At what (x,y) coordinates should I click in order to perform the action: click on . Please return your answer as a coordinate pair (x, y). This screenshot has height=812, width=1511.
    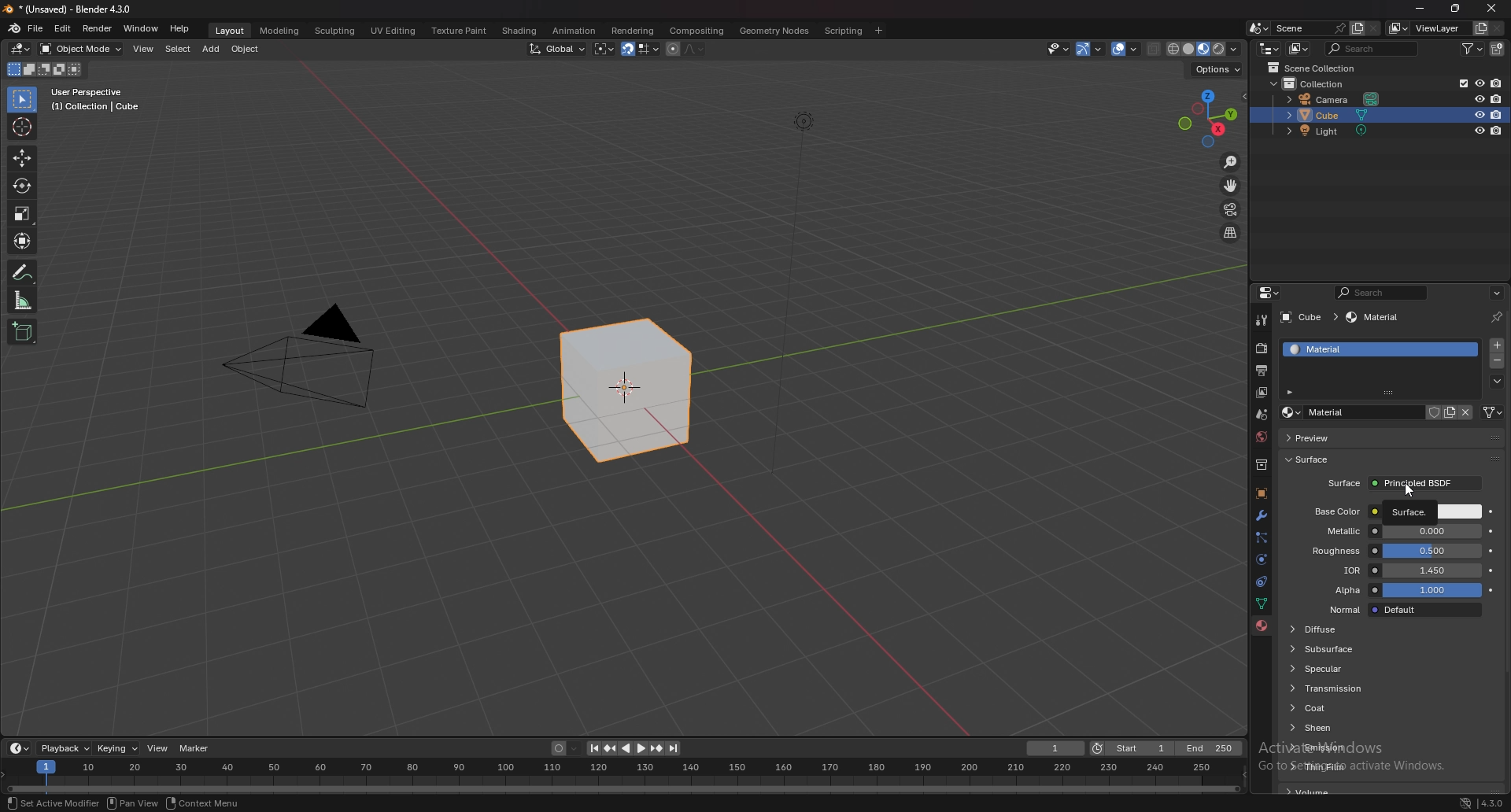
    Looking at the image, I should click on (1454, 802).